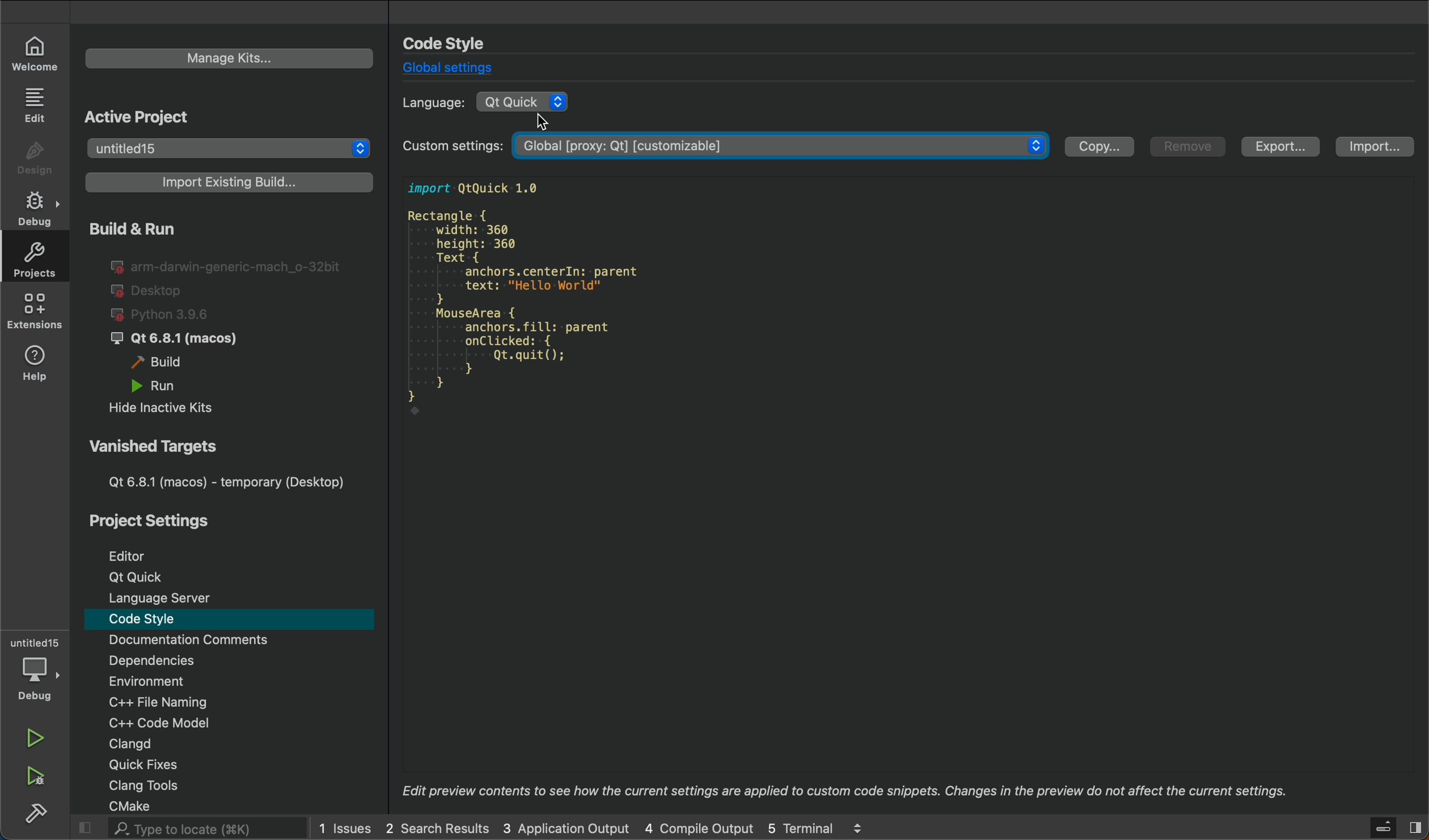 The height and width of the screenshot is (840, 1429). I want to click on change code, so click(885, 300).